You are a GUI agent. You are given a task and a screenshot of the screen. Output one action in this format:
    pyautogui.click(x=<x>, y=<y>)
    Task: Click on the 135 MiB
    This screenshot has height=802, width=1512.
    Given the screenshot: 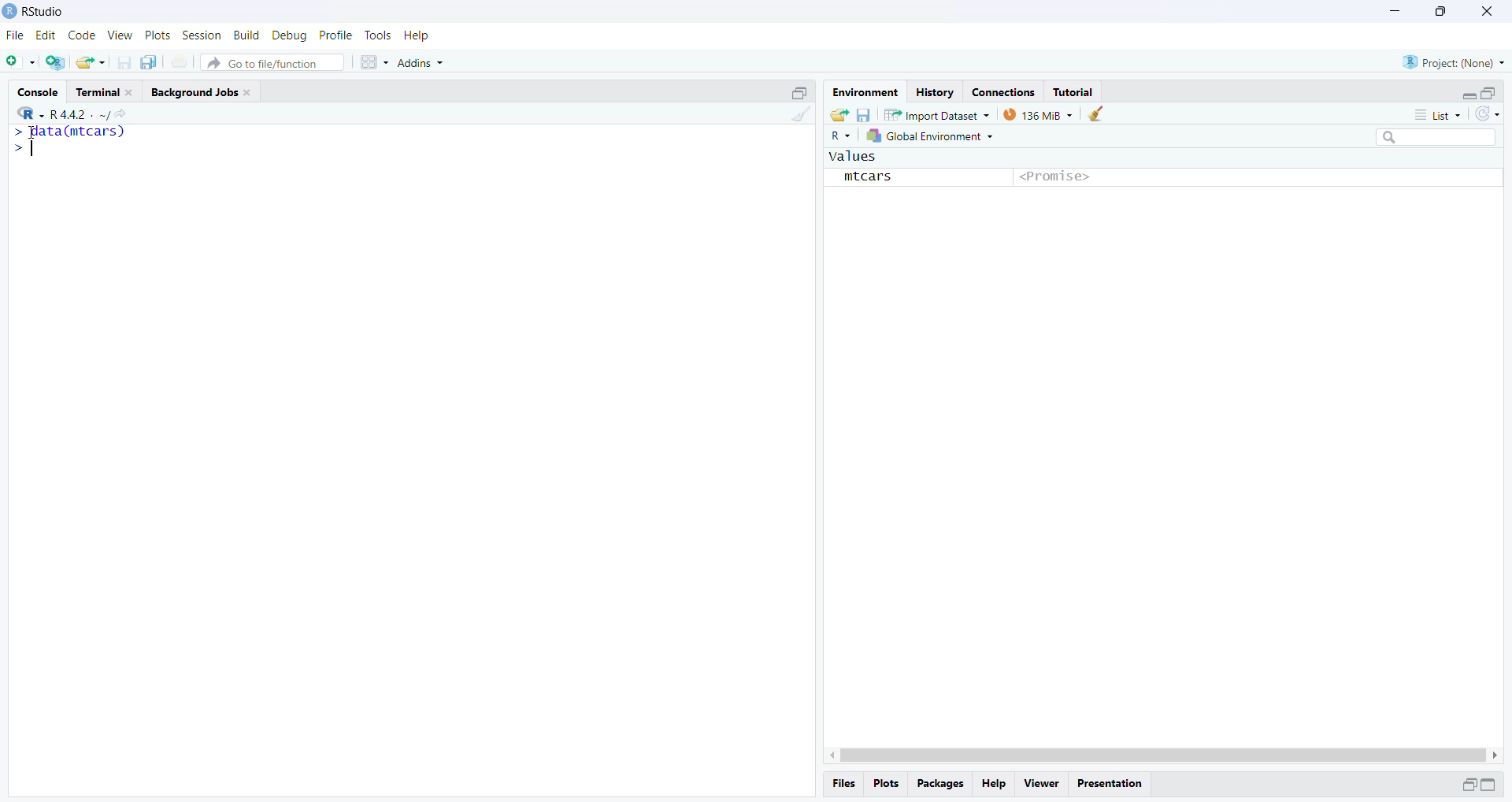 What is the action you would take?
    pyautogui.click(x=1038, y=114)
    